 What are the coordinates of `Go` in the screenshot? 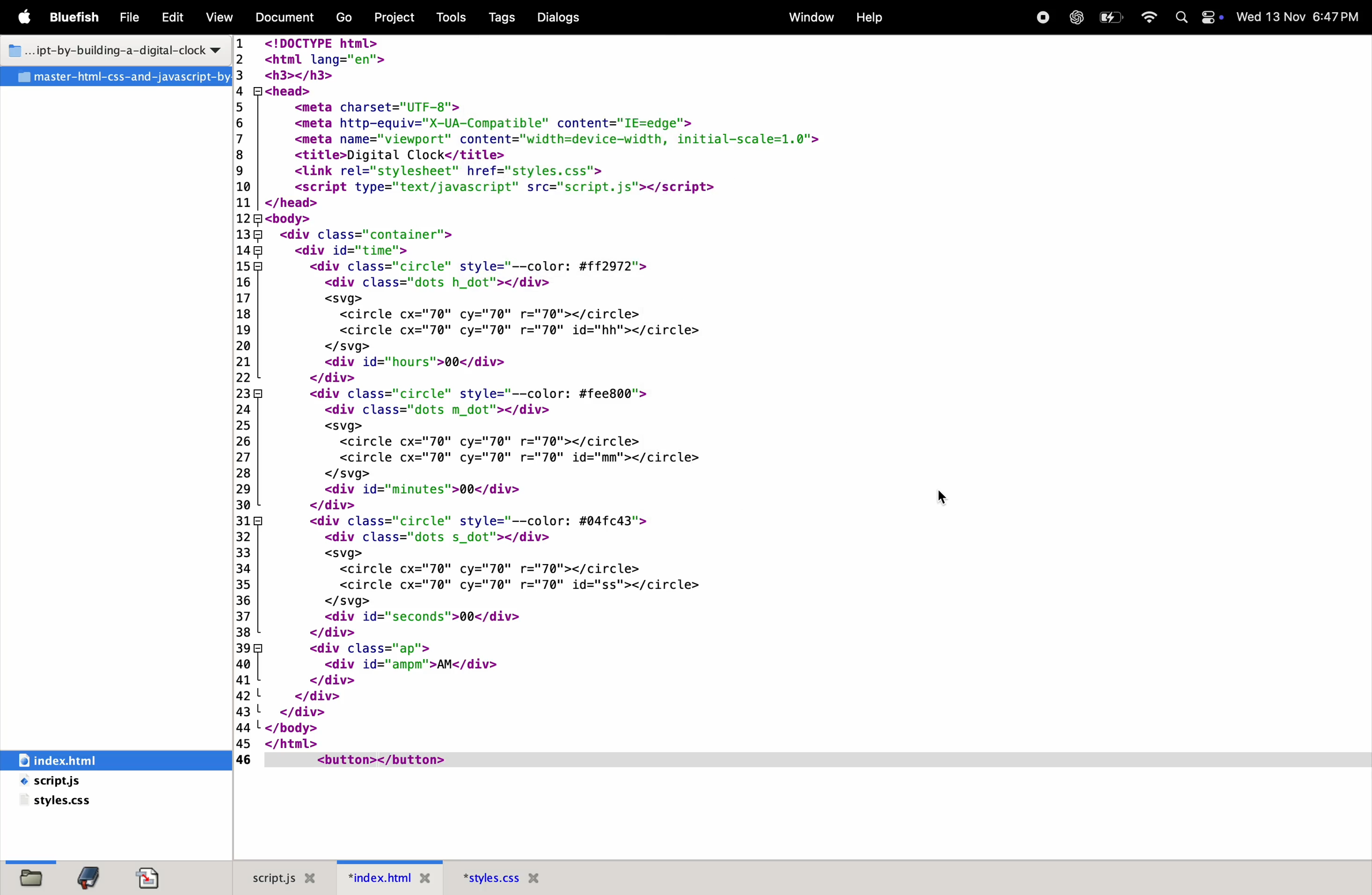 It's located at (342, 17).